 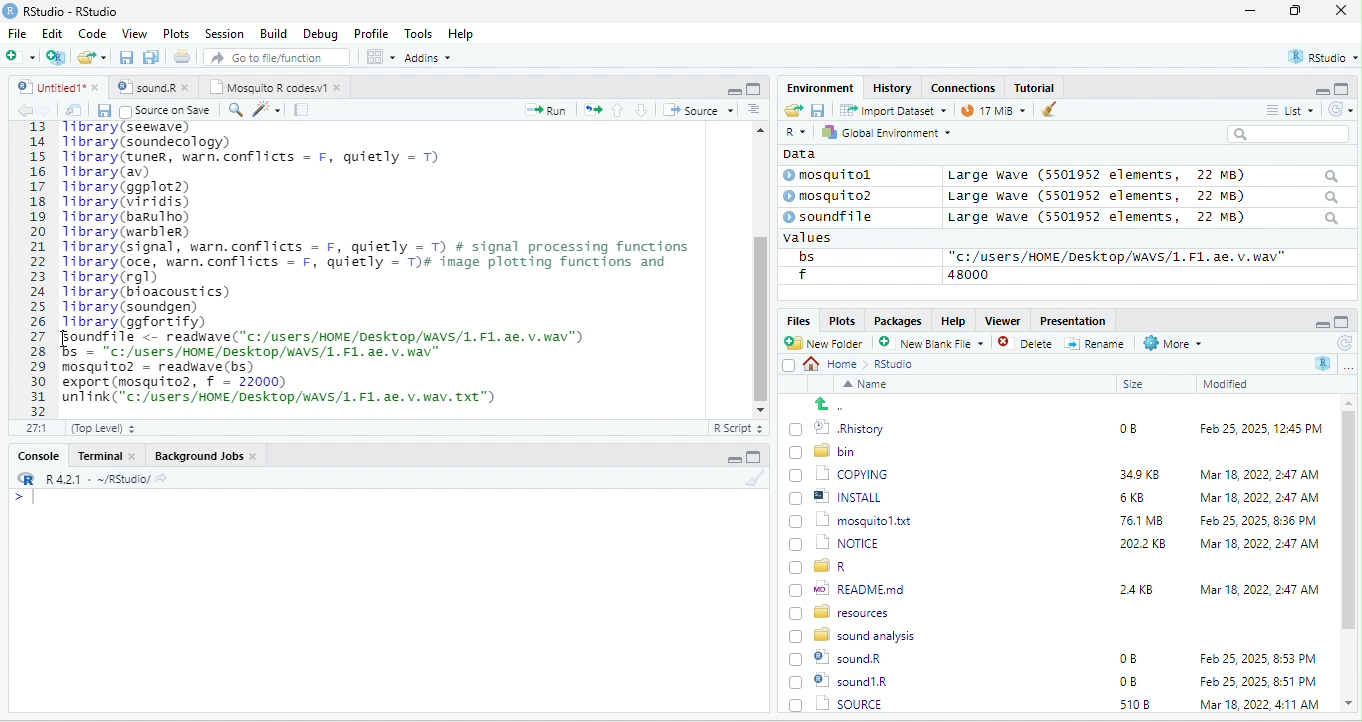 I want to click on view, so click(x=380, y=57).